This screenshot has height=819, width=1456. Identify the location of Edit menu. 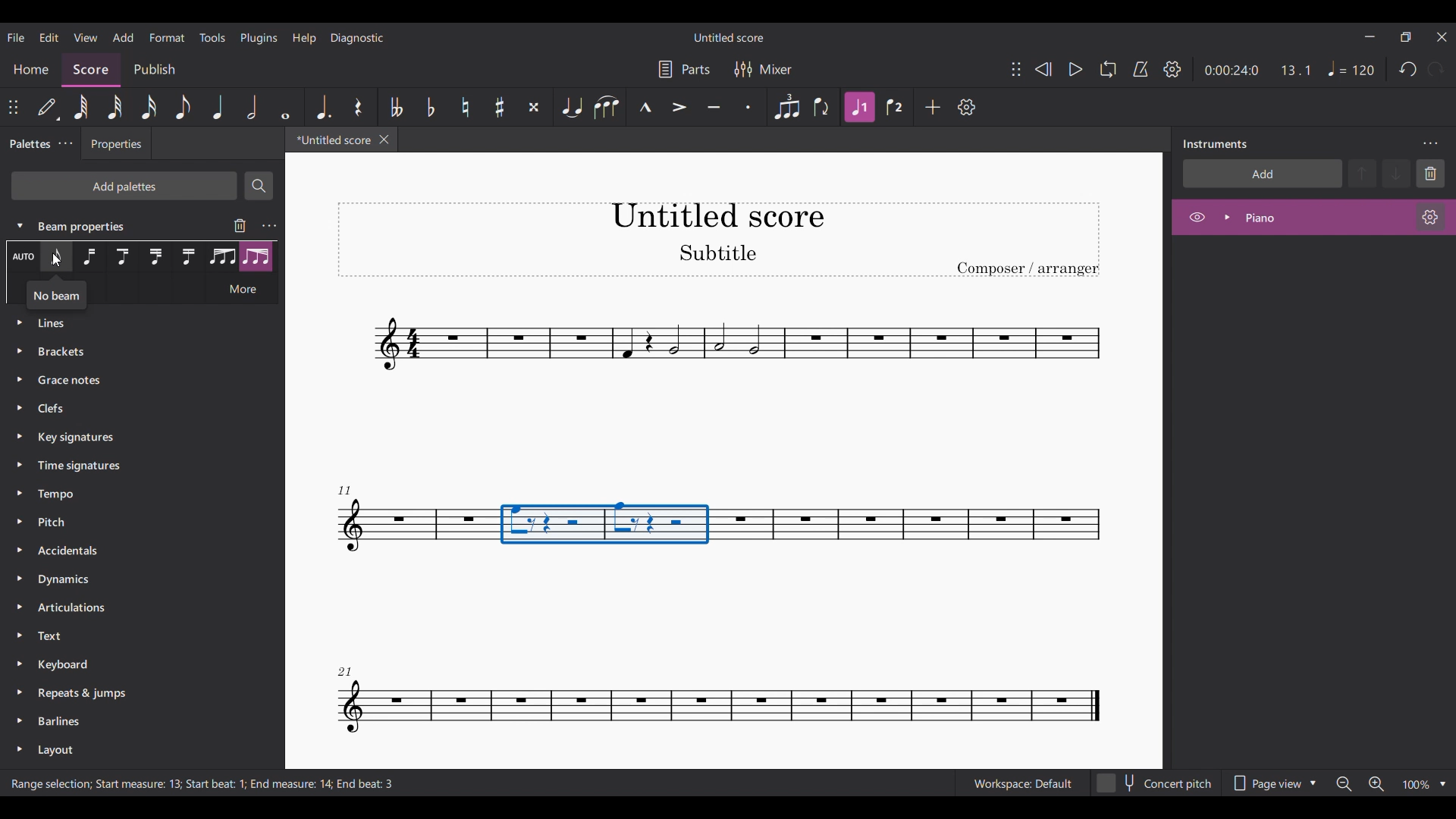
(49, 37).